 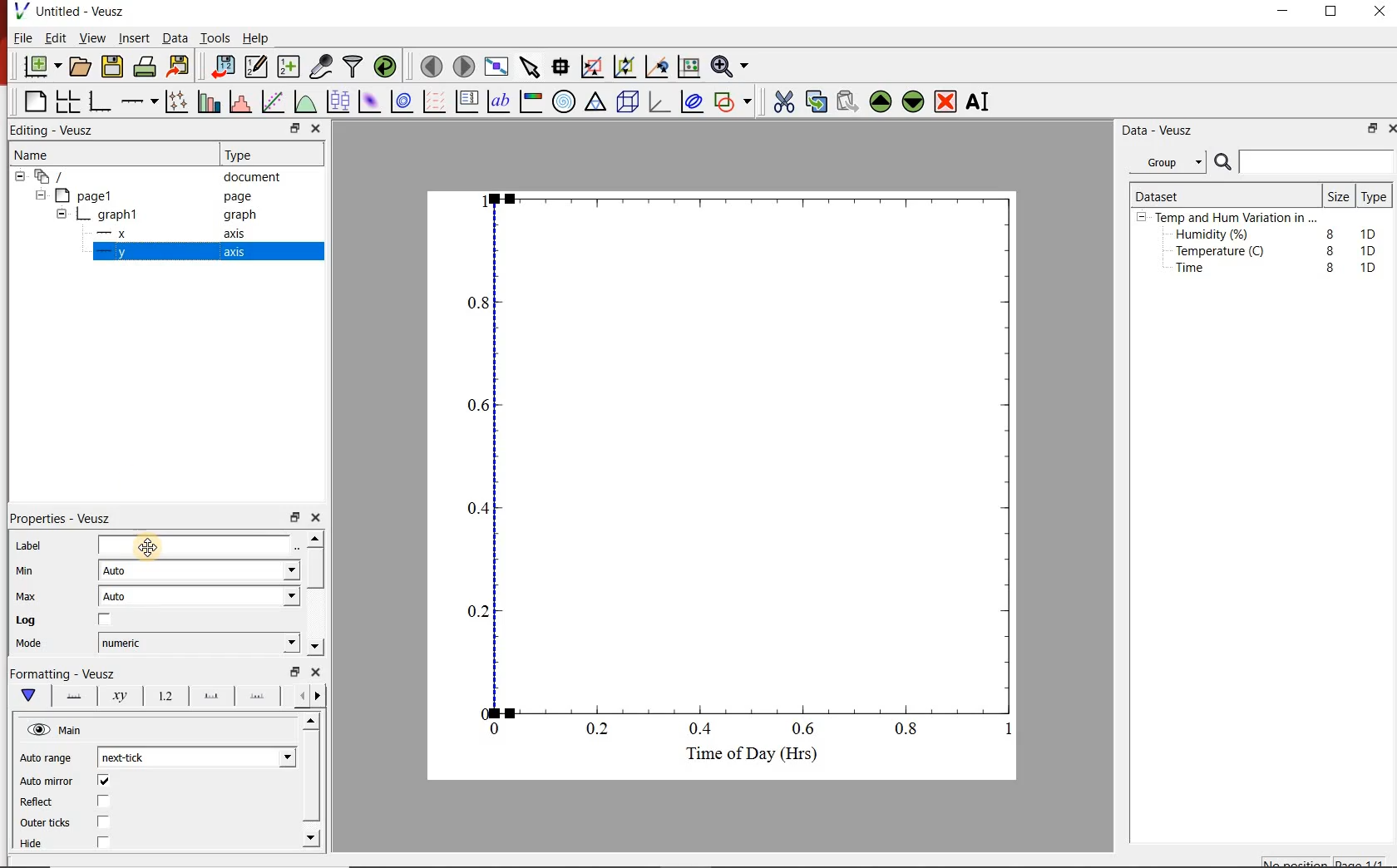 I want to click on 0.6, so click(x=477, y=410).